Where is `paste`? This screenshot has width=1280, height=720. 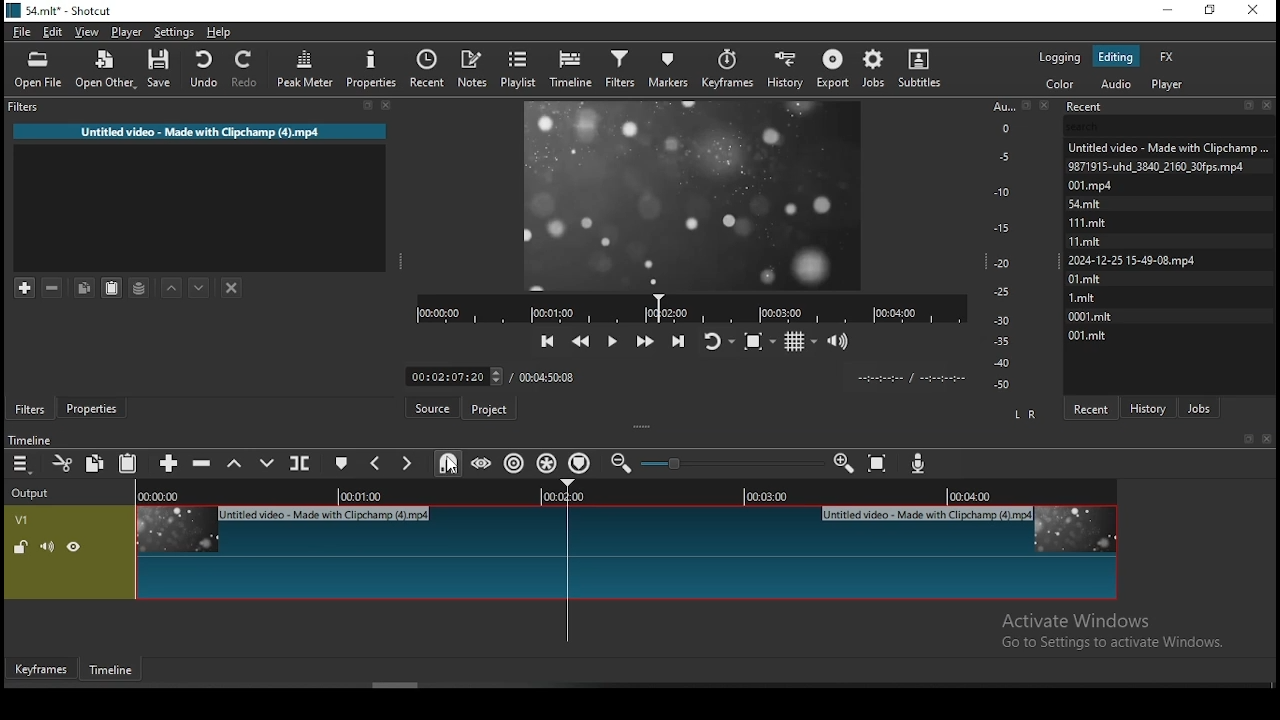 paste is located at coordinates (112, 288).